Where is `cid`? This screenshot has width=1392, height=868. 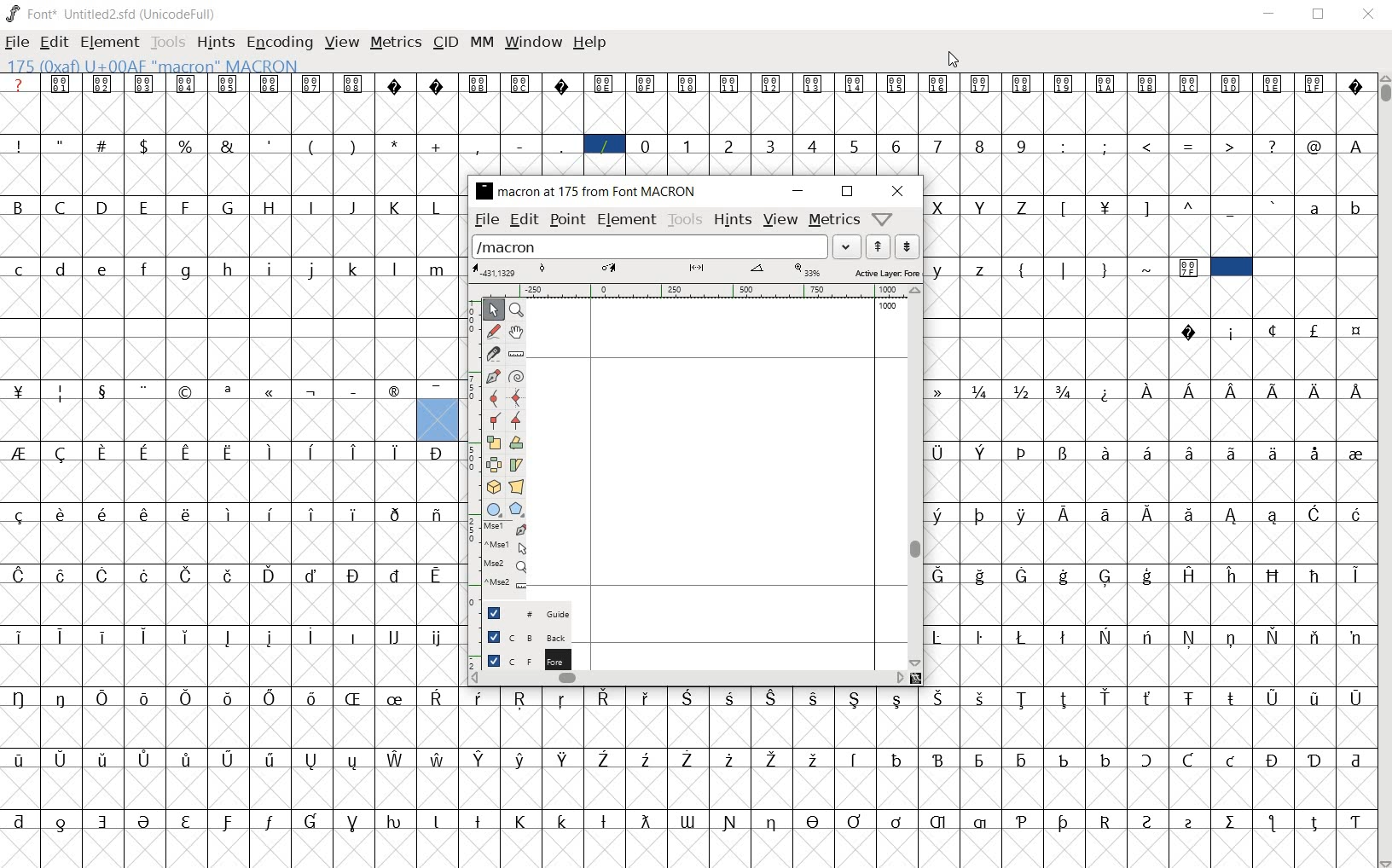 cid is located at coordinates (445, 43).